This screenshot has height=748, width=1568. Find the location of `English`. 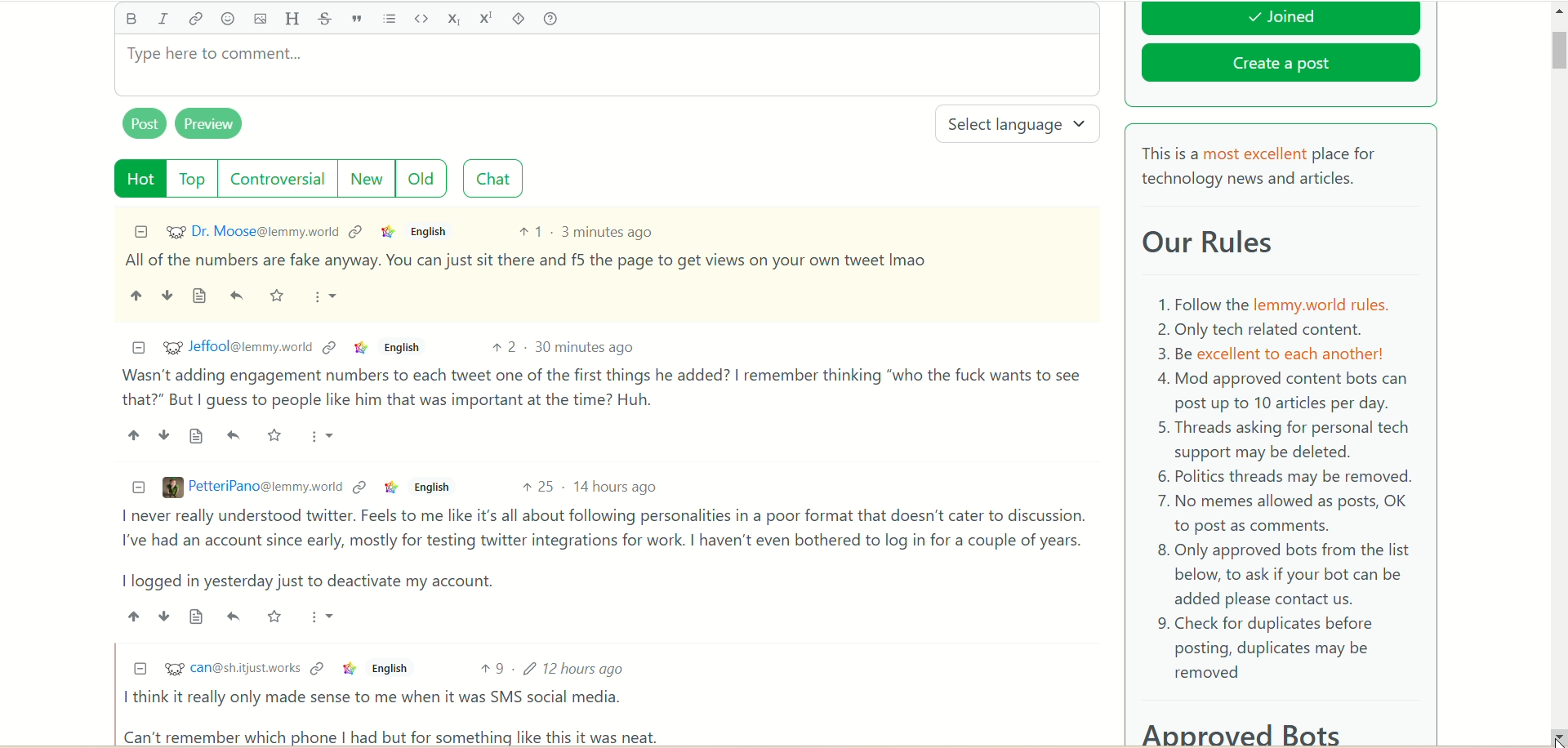

English is located at coordinates (430, 488).